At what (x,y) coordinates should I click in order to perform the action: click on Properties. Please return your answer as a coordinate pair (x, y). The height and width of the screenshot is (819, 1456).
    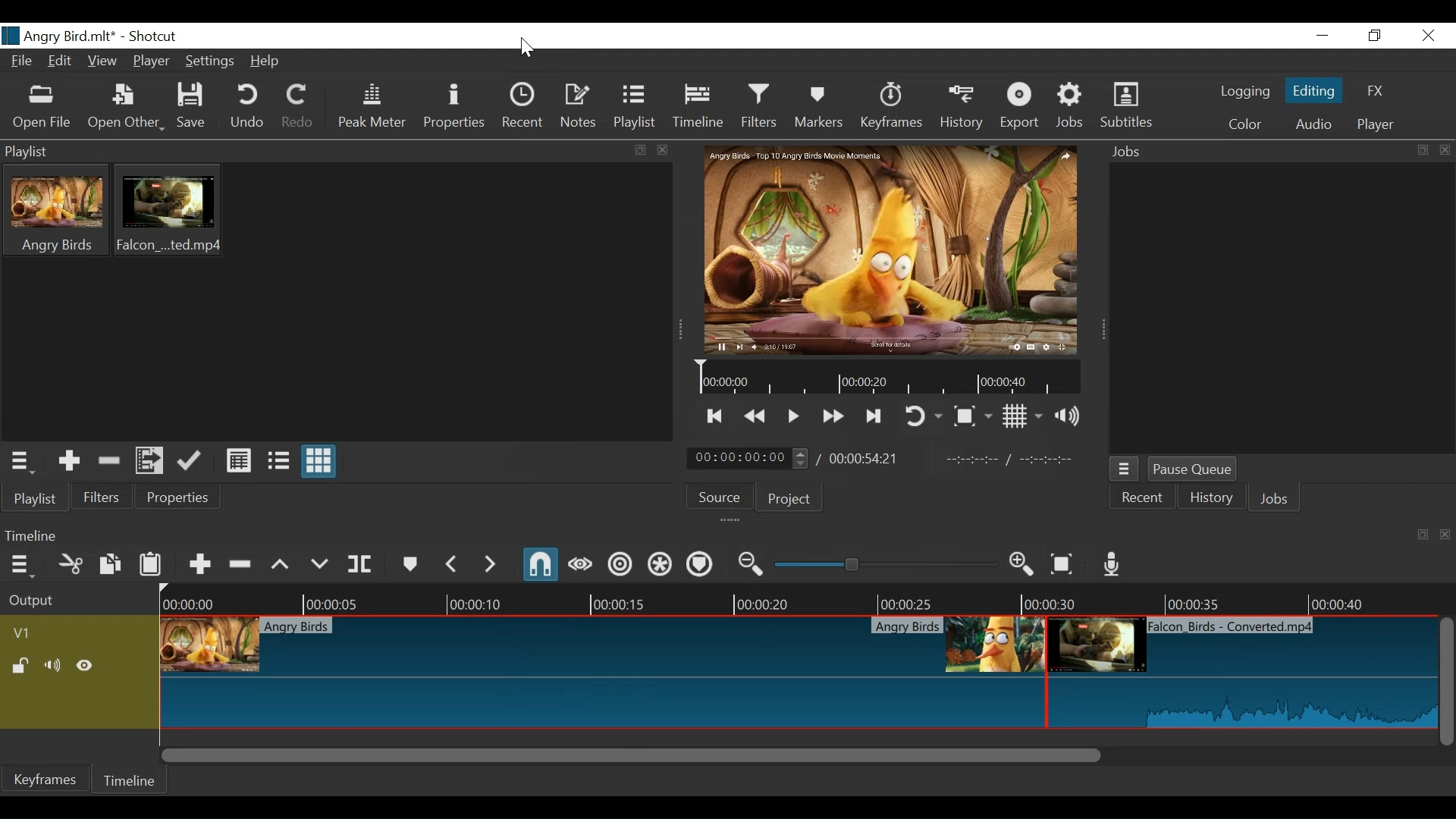
    Looking at the image, I should click on (453, 108).